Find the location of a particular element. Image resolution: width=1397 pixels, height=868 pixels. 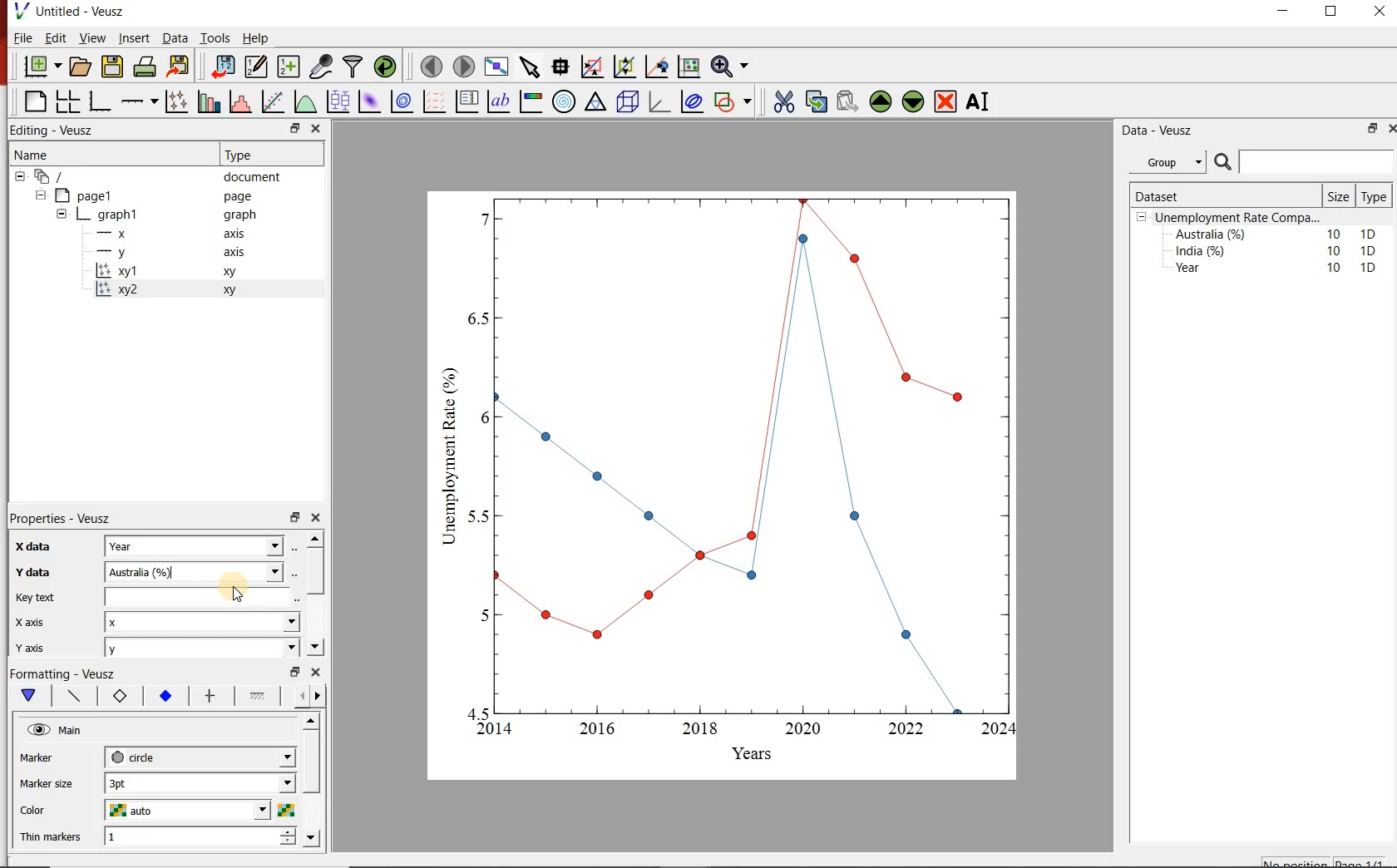

line 1 is located at coordinates (258, 694).